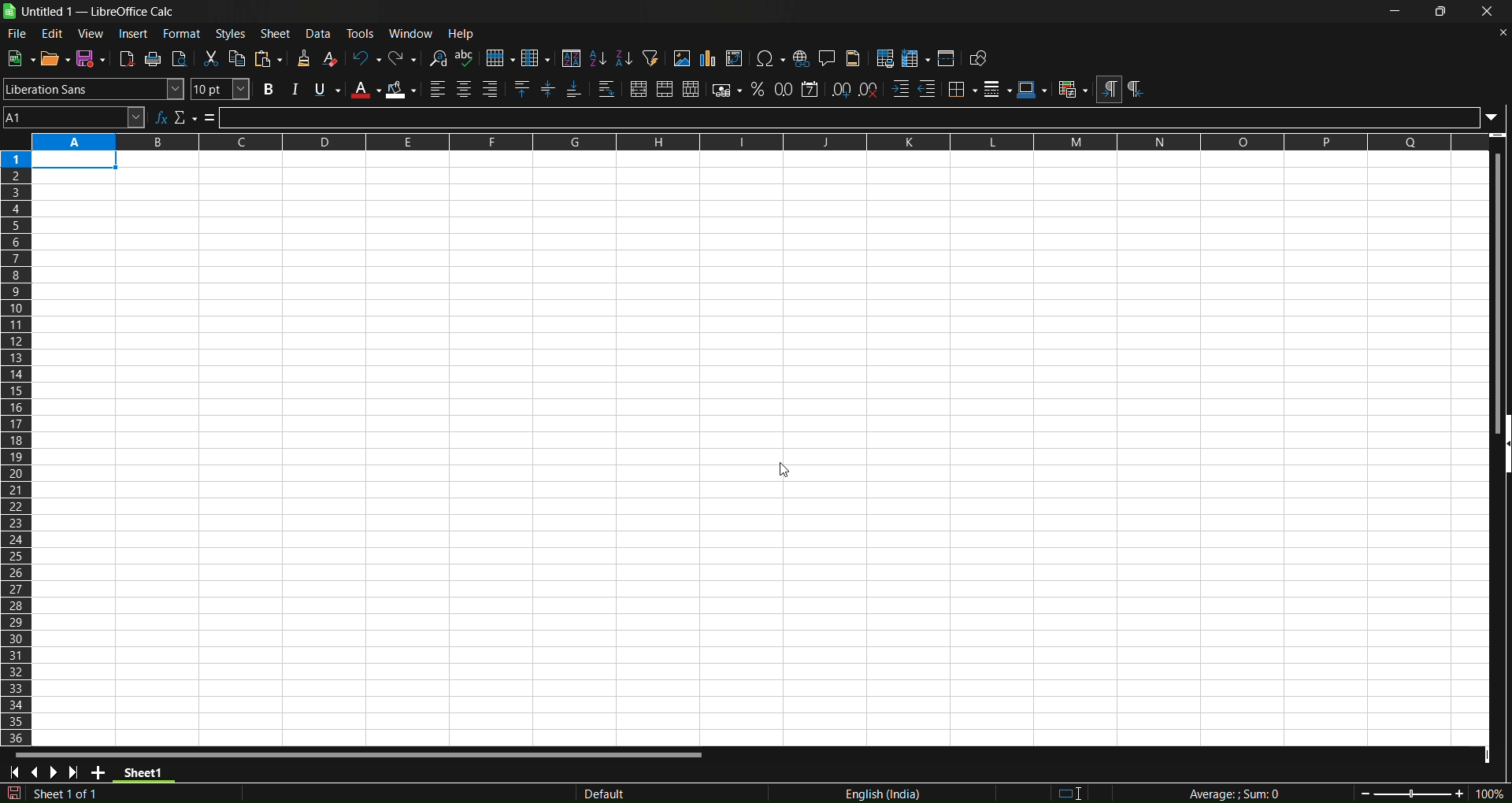  Describe the element at coordinates (231, 33) in the screenshot. I see `styles` at that location.